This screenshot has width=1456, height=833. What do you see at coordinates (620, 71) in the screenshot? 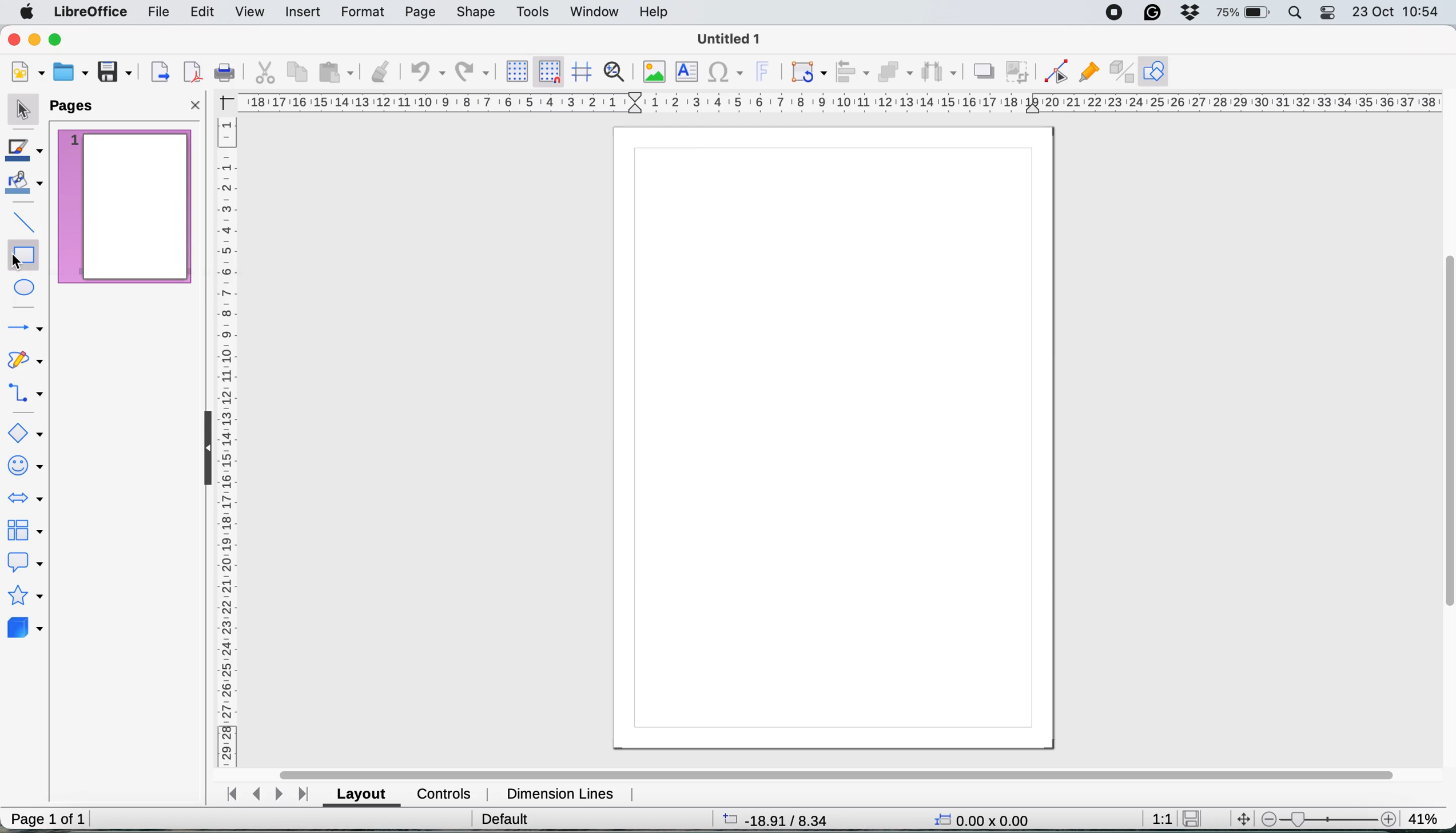
I see `zoom and pan` at bounding box center [620, 71].